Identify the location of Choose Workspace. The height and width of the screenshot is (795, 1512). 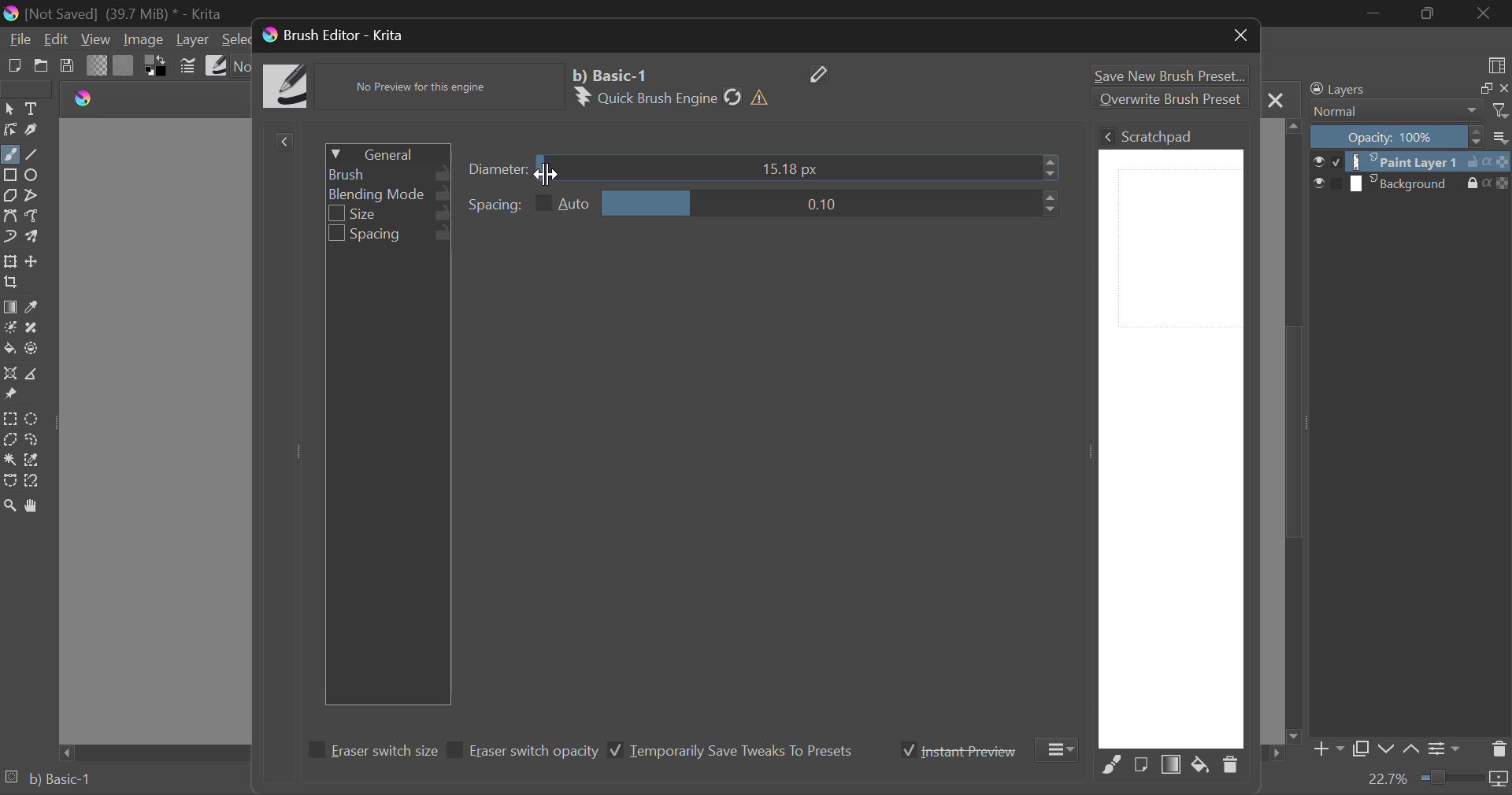
(1499, 65).